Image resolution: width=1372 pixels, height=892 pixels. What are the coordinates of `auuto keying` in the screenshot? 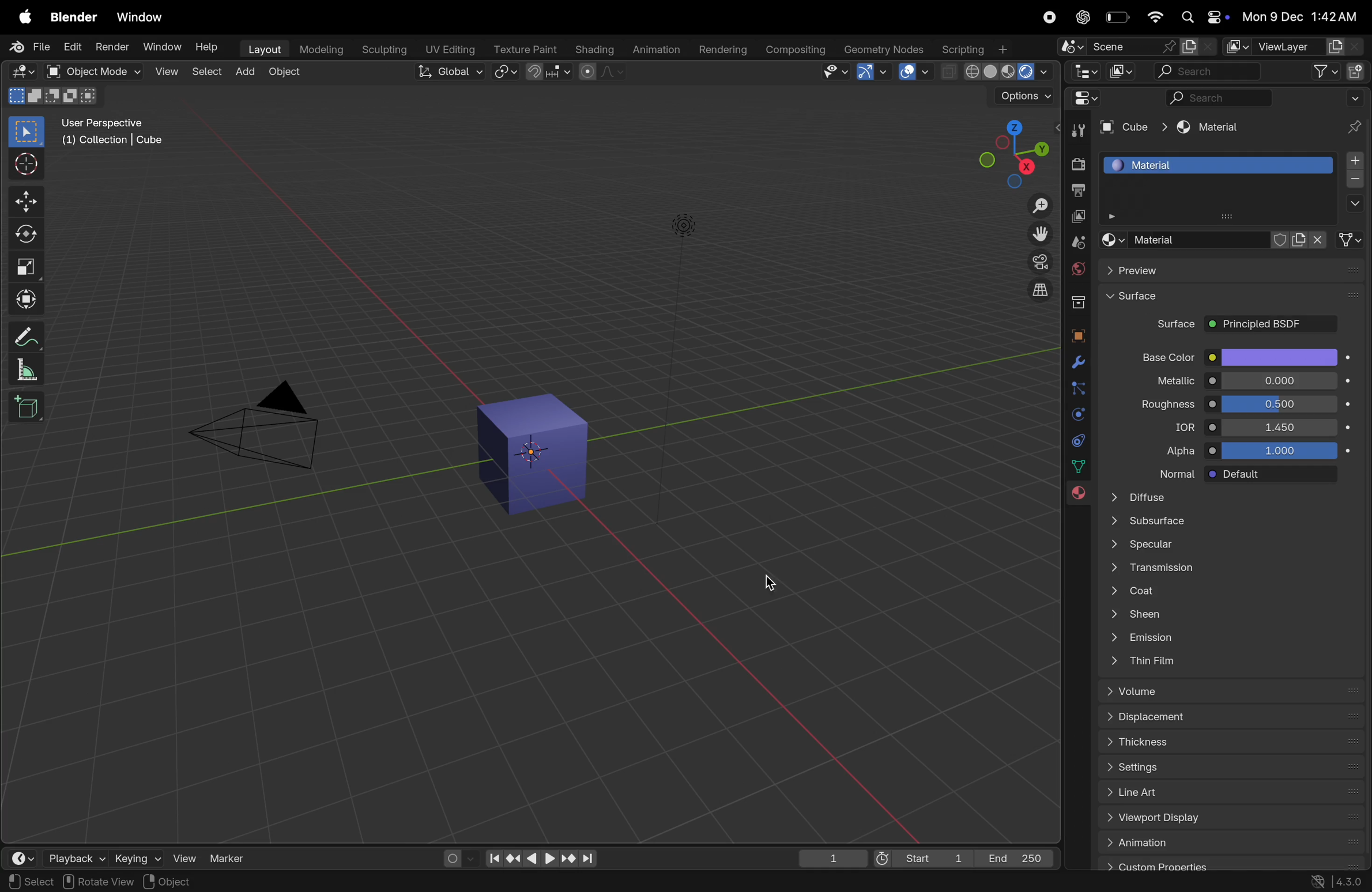 It's located at (451, 857).